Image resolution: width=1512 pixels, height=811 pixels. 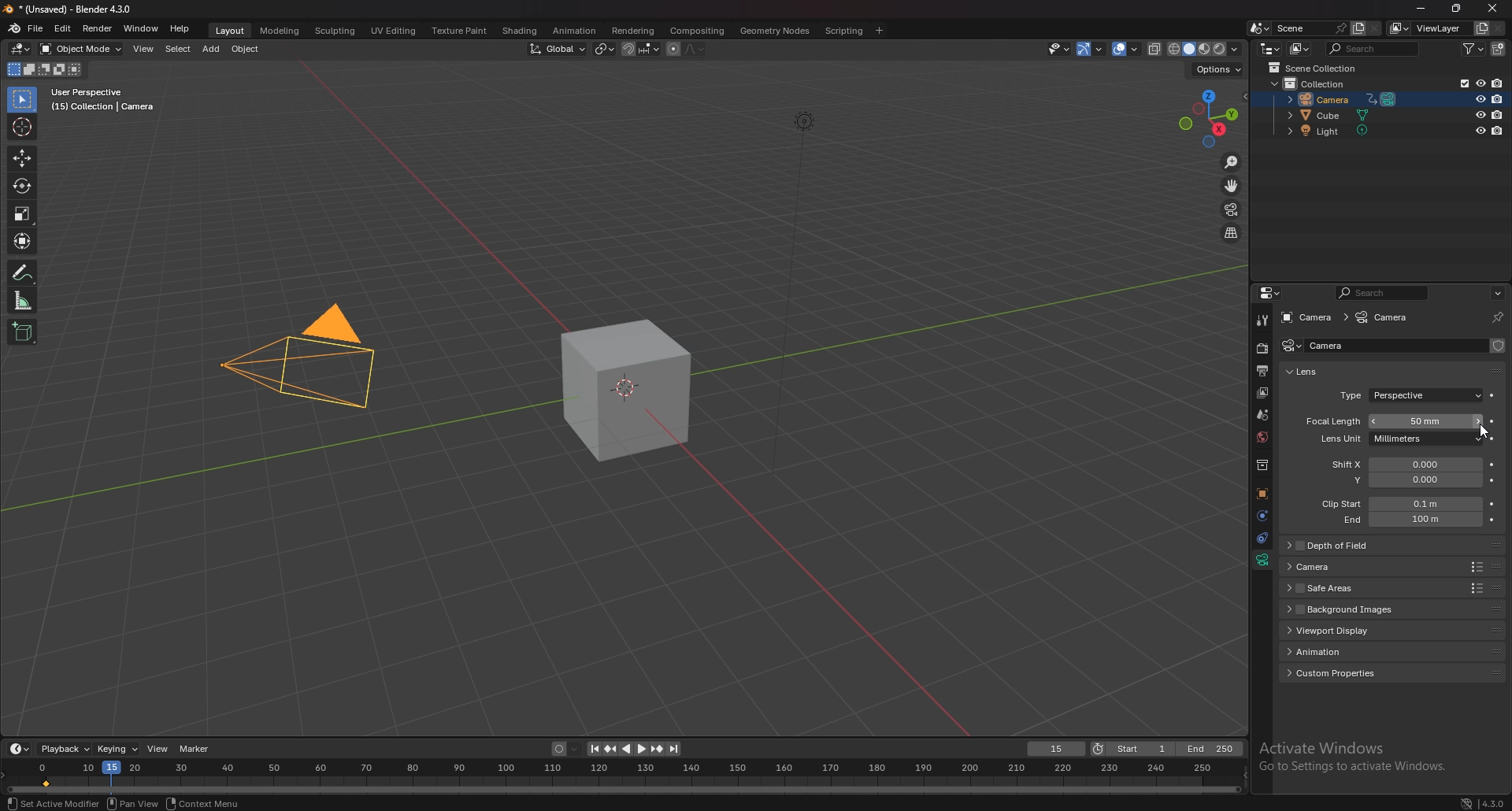 I want to click on move, so click(x=1231, y=185).